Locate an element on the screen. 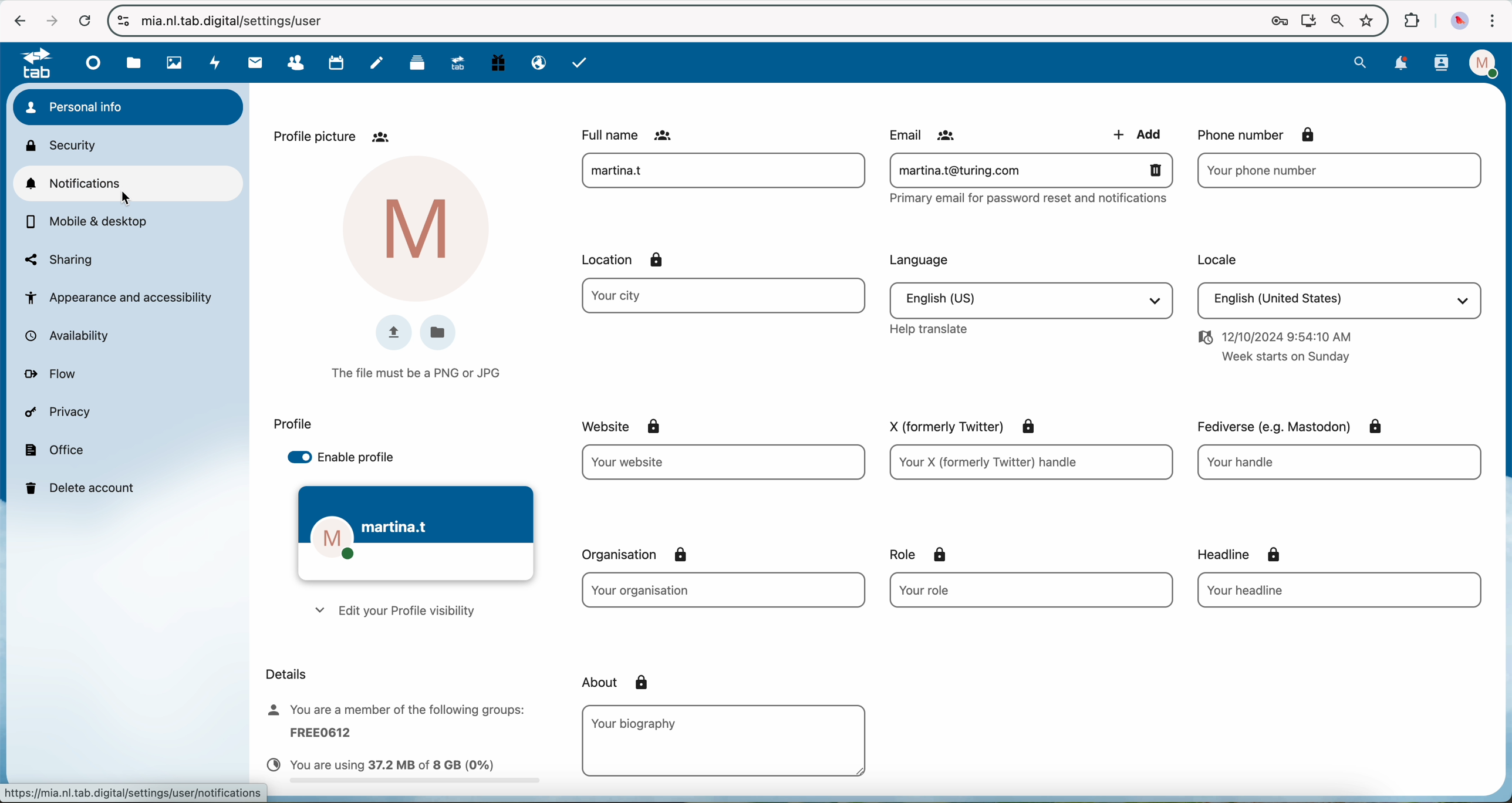 The width and height of the screenshot is (1512, 803). add is located at coordinates (1110, 133).